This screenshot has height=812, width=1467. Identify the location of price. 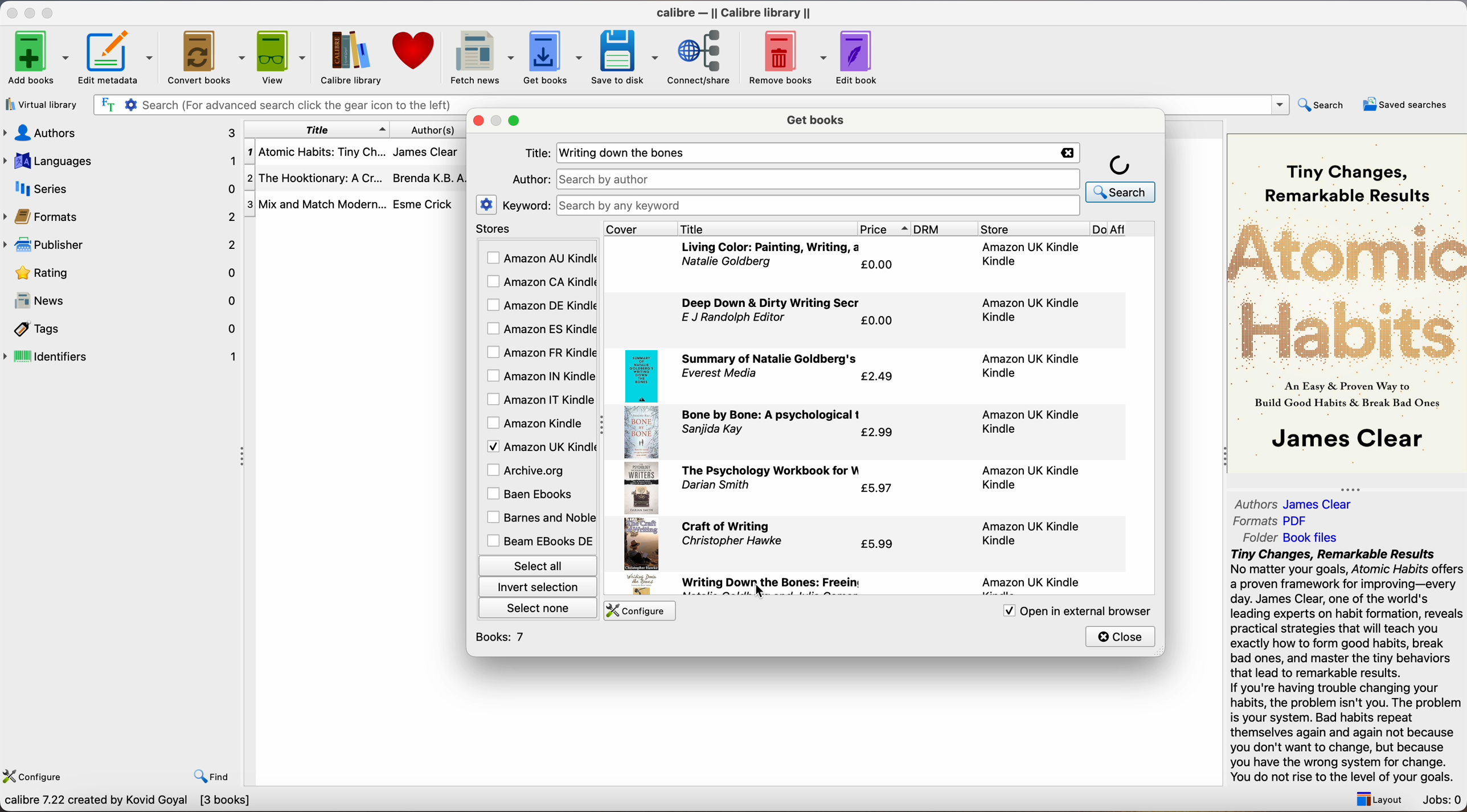
(884, 229).